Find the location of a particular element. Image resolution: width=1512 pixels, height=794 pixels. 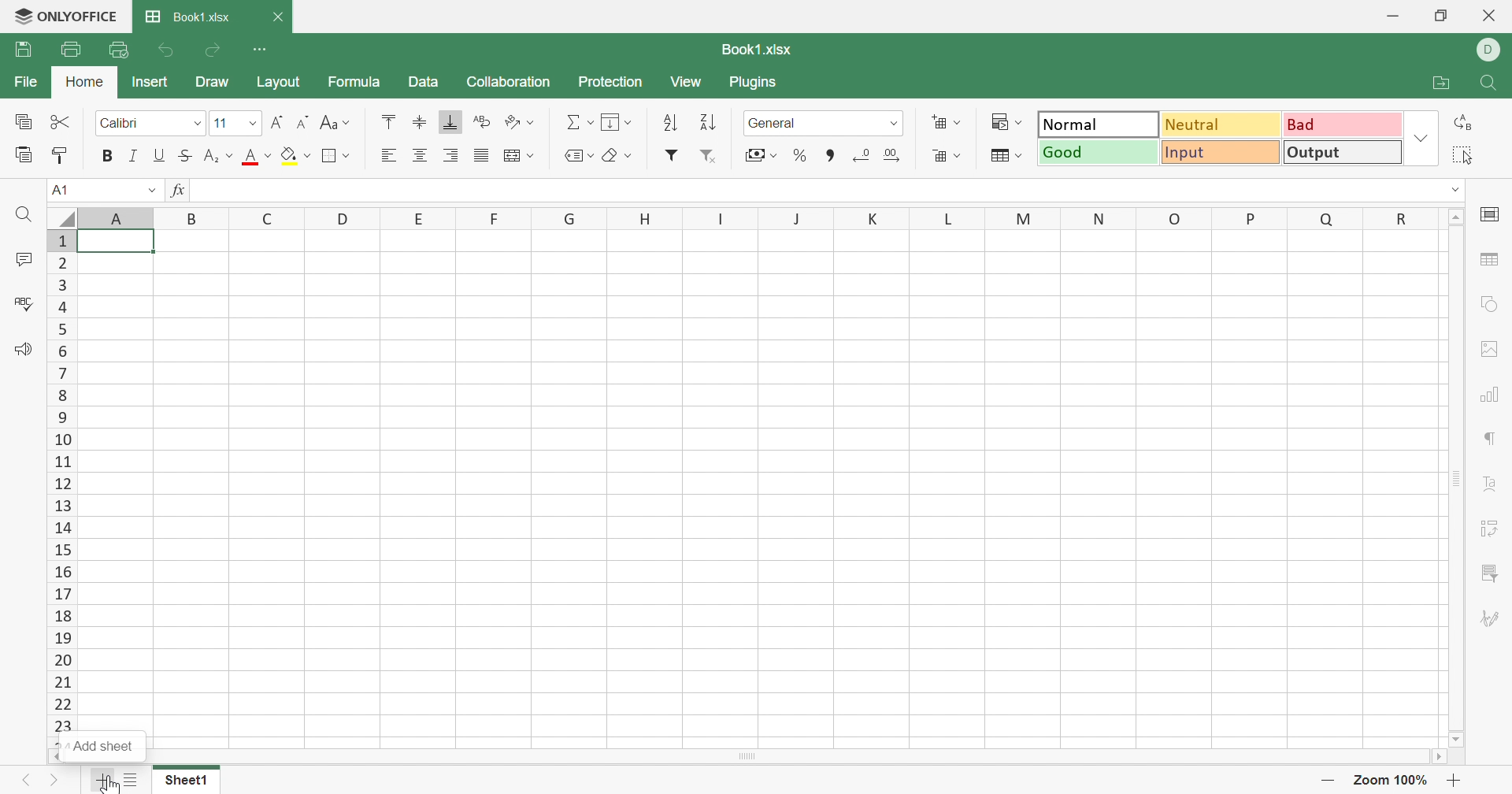

15 is located at coordinates (62, 551).